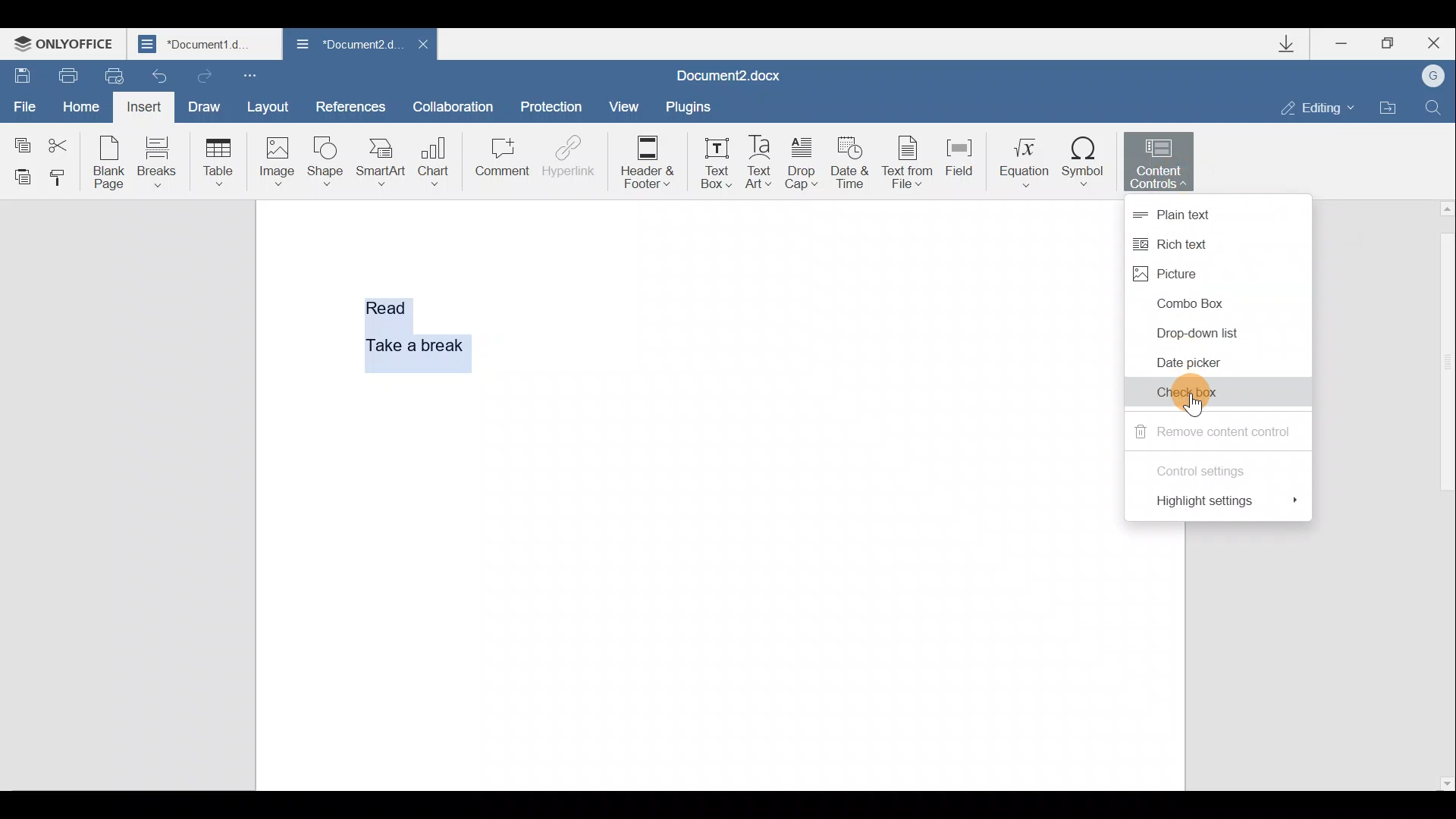 The width and height of the screenshot is (1456, 819). Describe the element at coordinates (1342, 45) in the screenshot. I see `Minimize` at that location.